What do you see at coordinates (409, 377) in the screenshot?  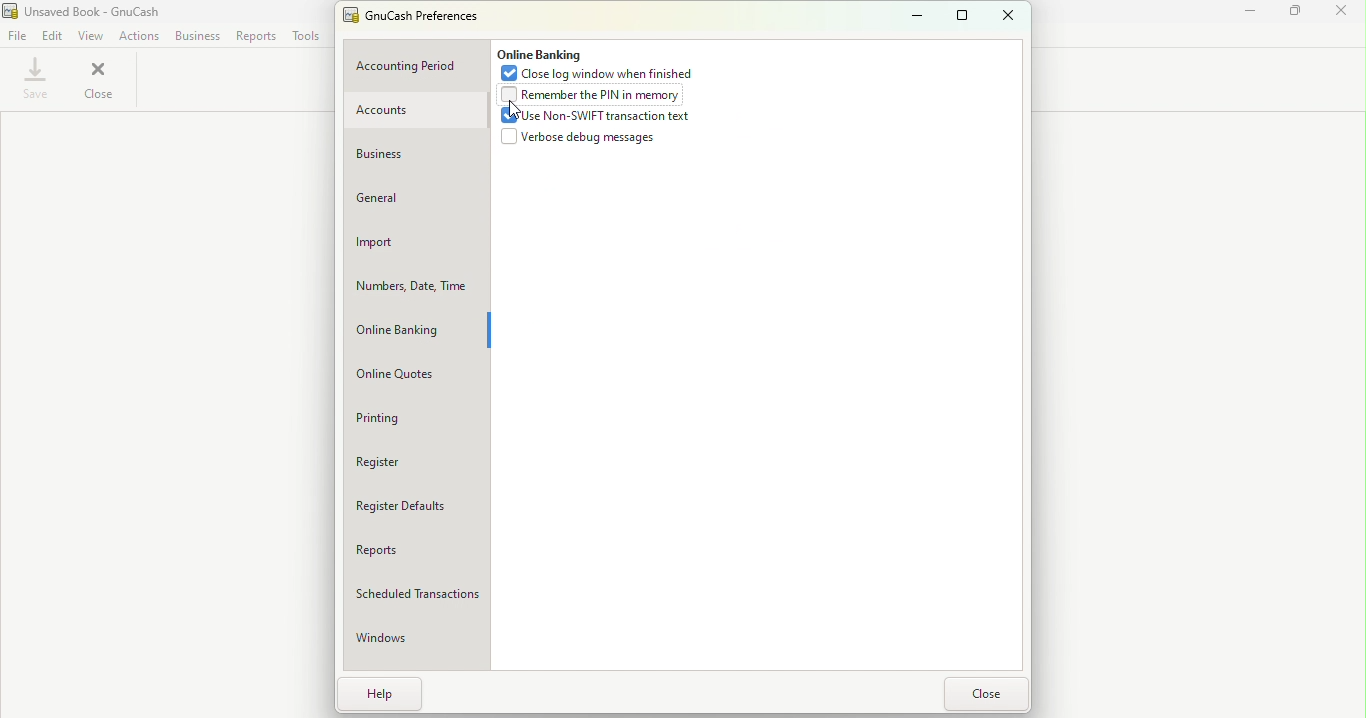 I see `Online quotes` at bounding box center [409, 377].